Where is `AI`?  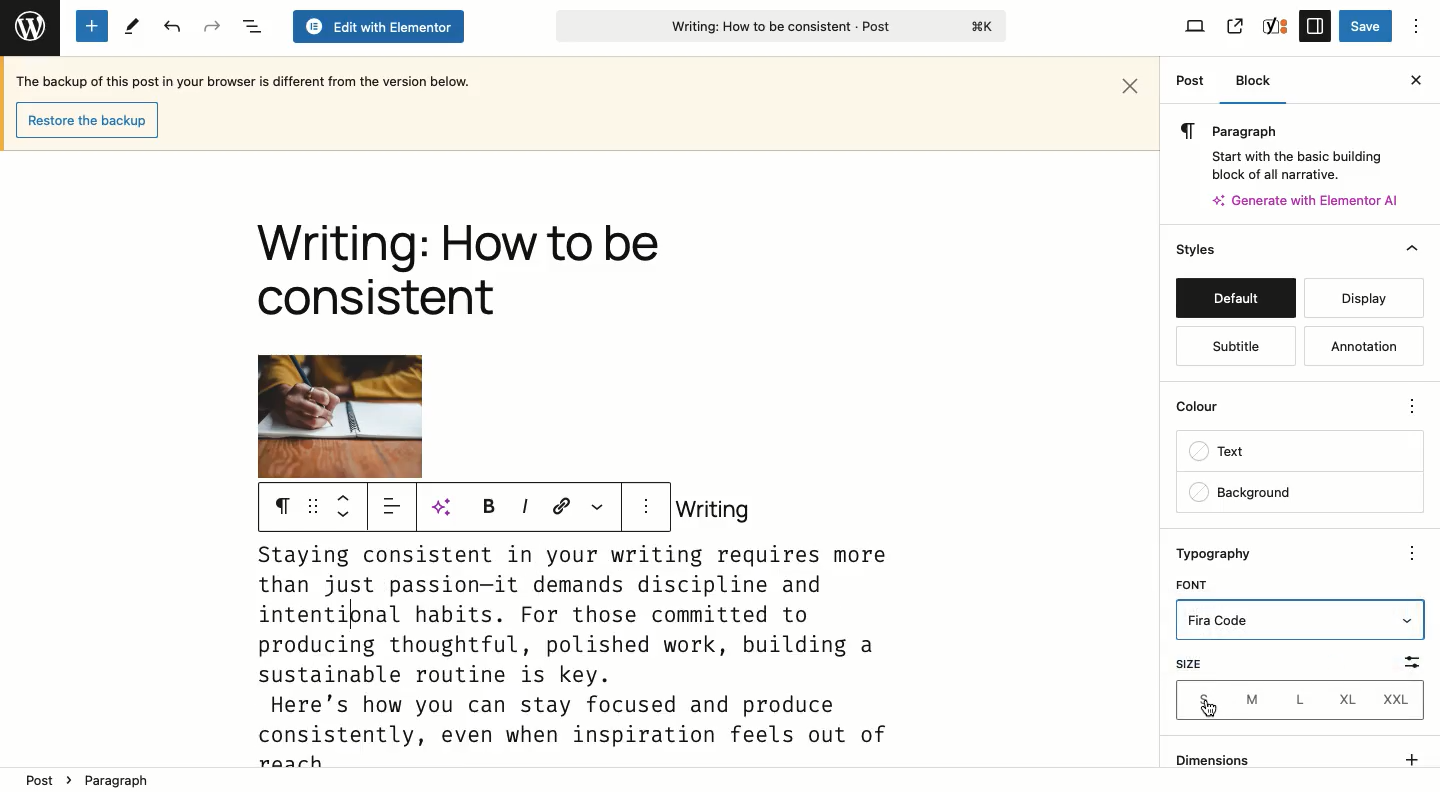
AI is located at coordinates (448, 507).